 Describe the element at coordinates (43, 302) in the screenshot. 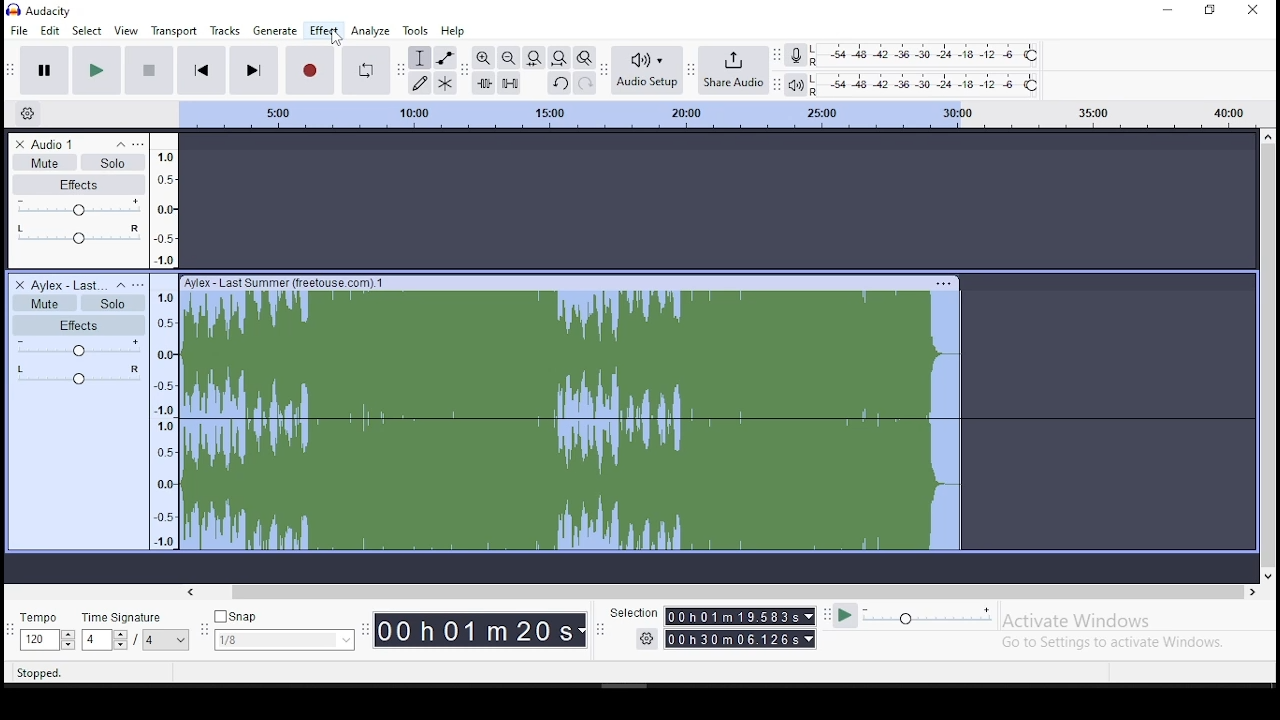

I see `mute` at that location.